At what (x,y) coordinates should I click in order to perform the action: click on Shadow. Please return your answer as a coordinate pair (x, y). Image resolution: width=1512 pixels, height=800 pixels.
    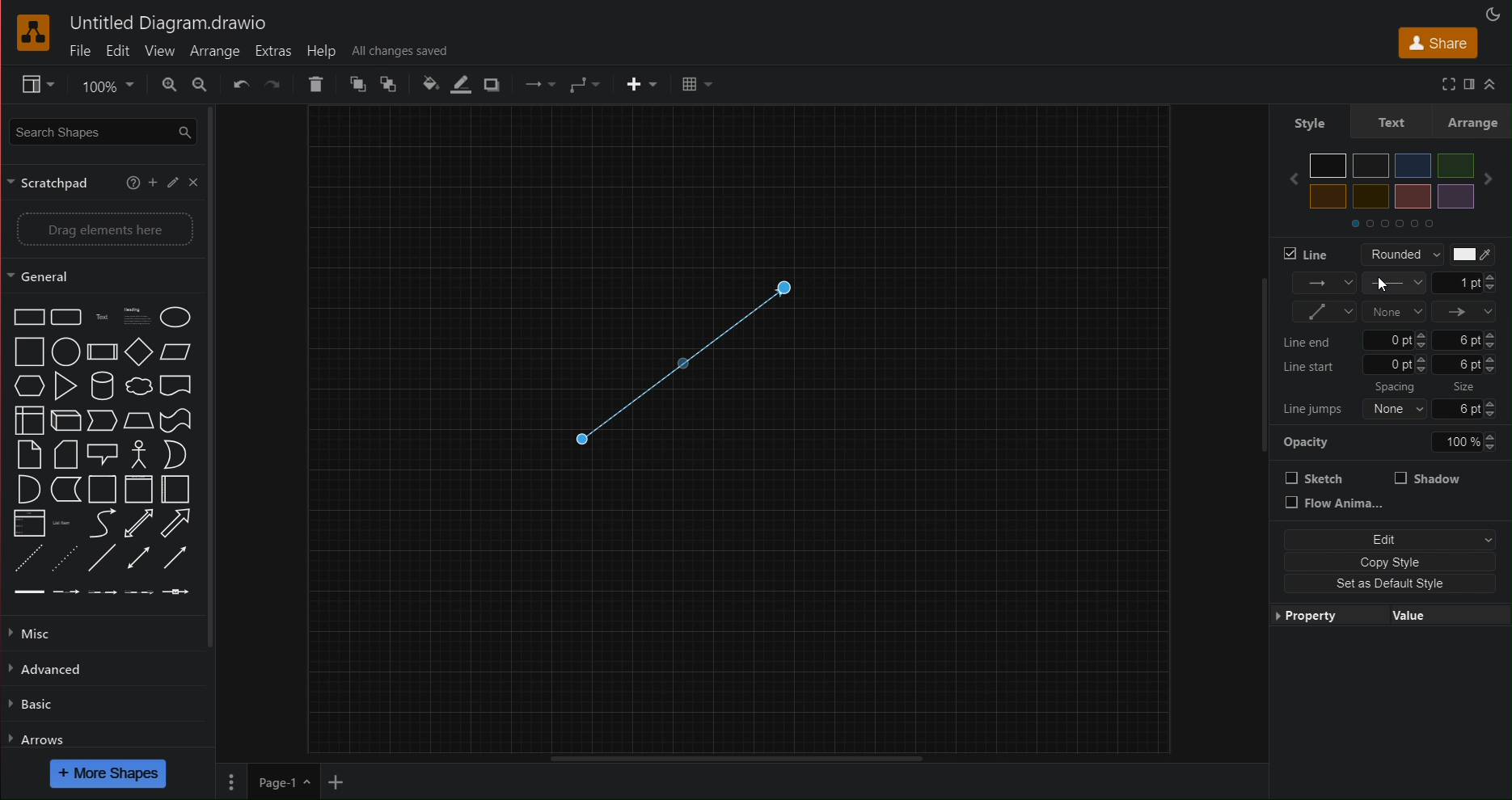
    Looking at the image, I should click on (1428, 478).